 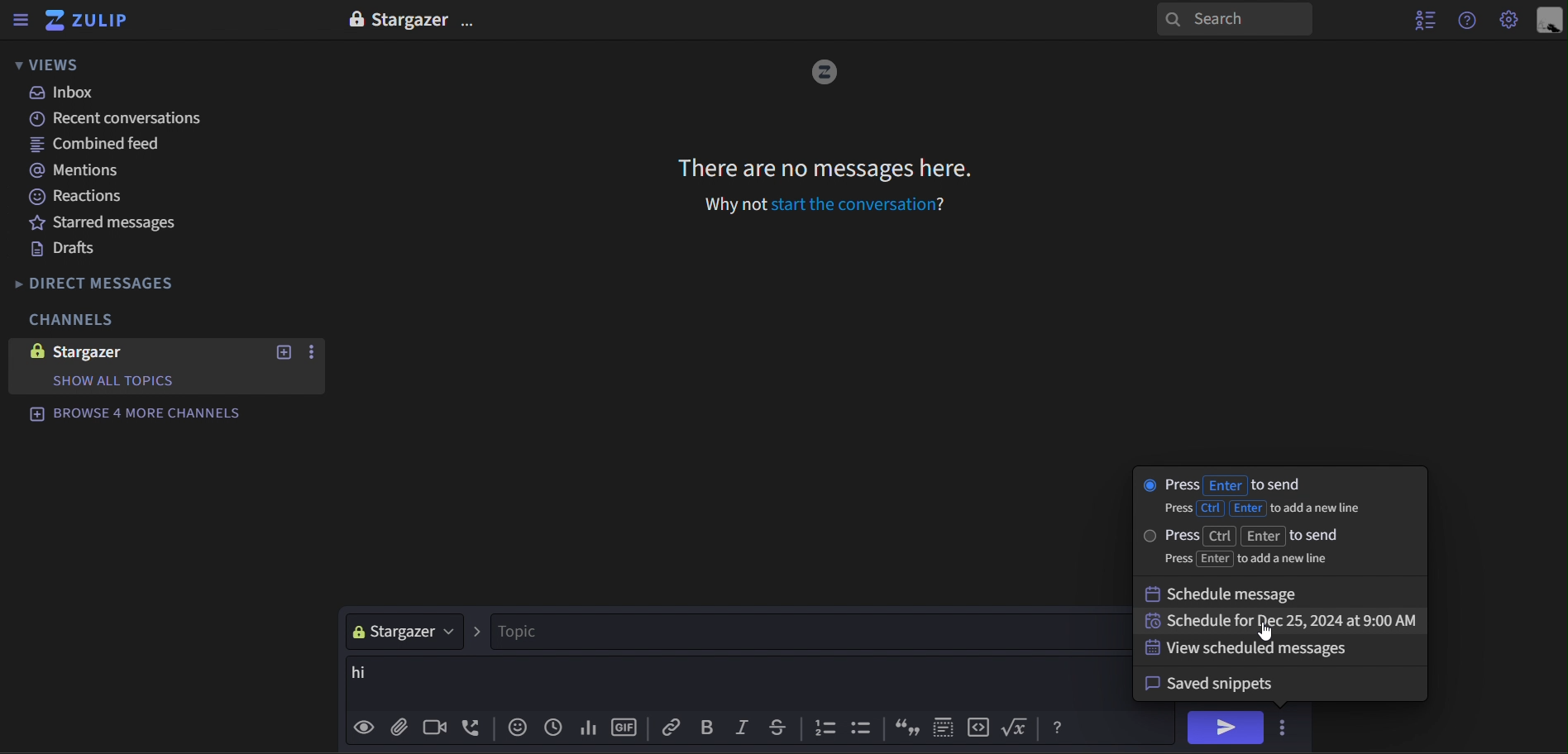 What do you see at coordinates (863, 729) in the screenshot?
I see `bullets` at bounding box center [863, 729].